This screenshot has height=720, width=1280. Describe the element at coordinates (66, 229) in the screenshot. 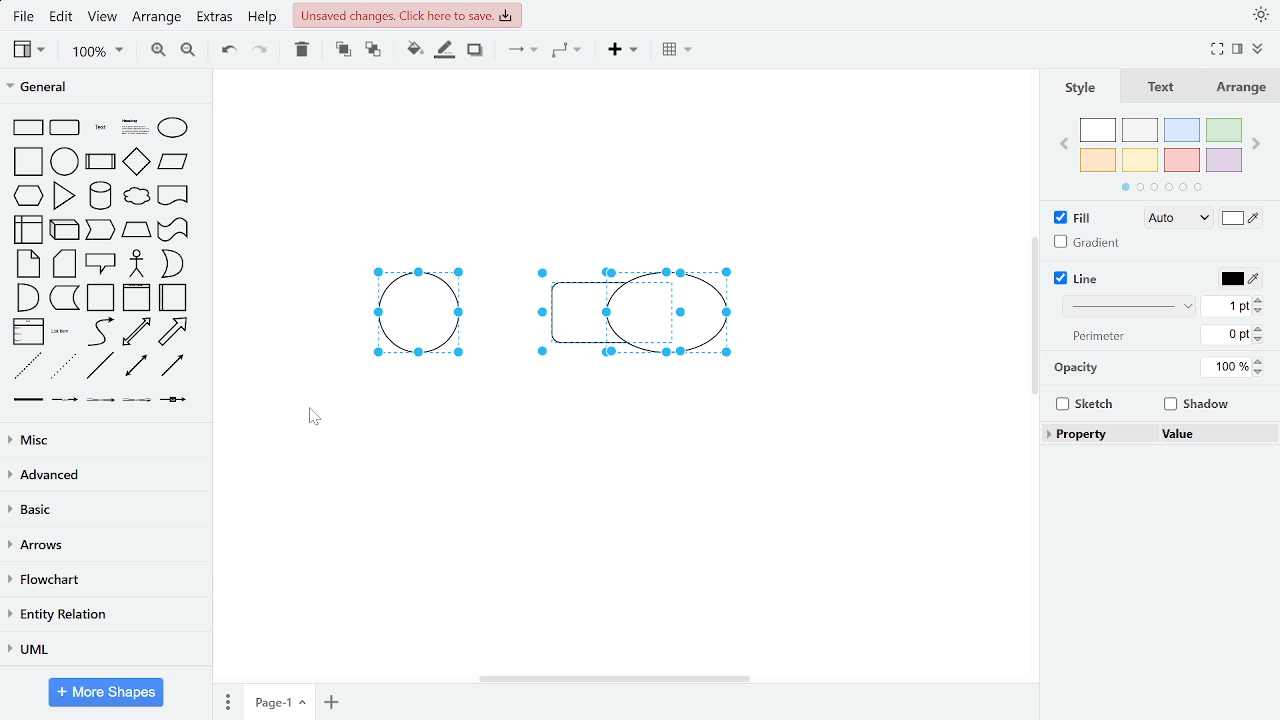

I see `cube` at that location.